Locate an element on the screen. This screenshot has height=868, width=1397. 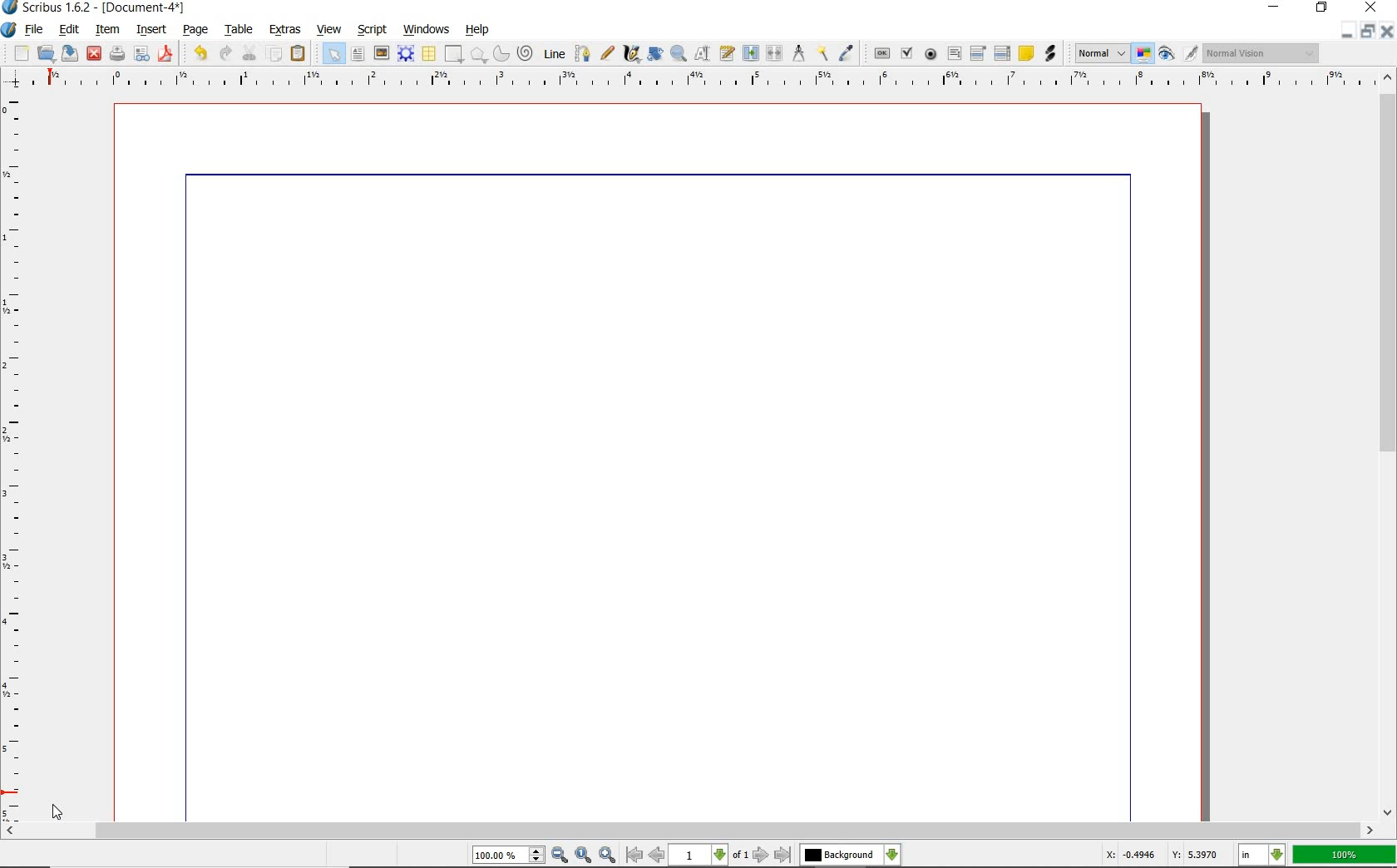
edit is located at coordinates (67, 31).